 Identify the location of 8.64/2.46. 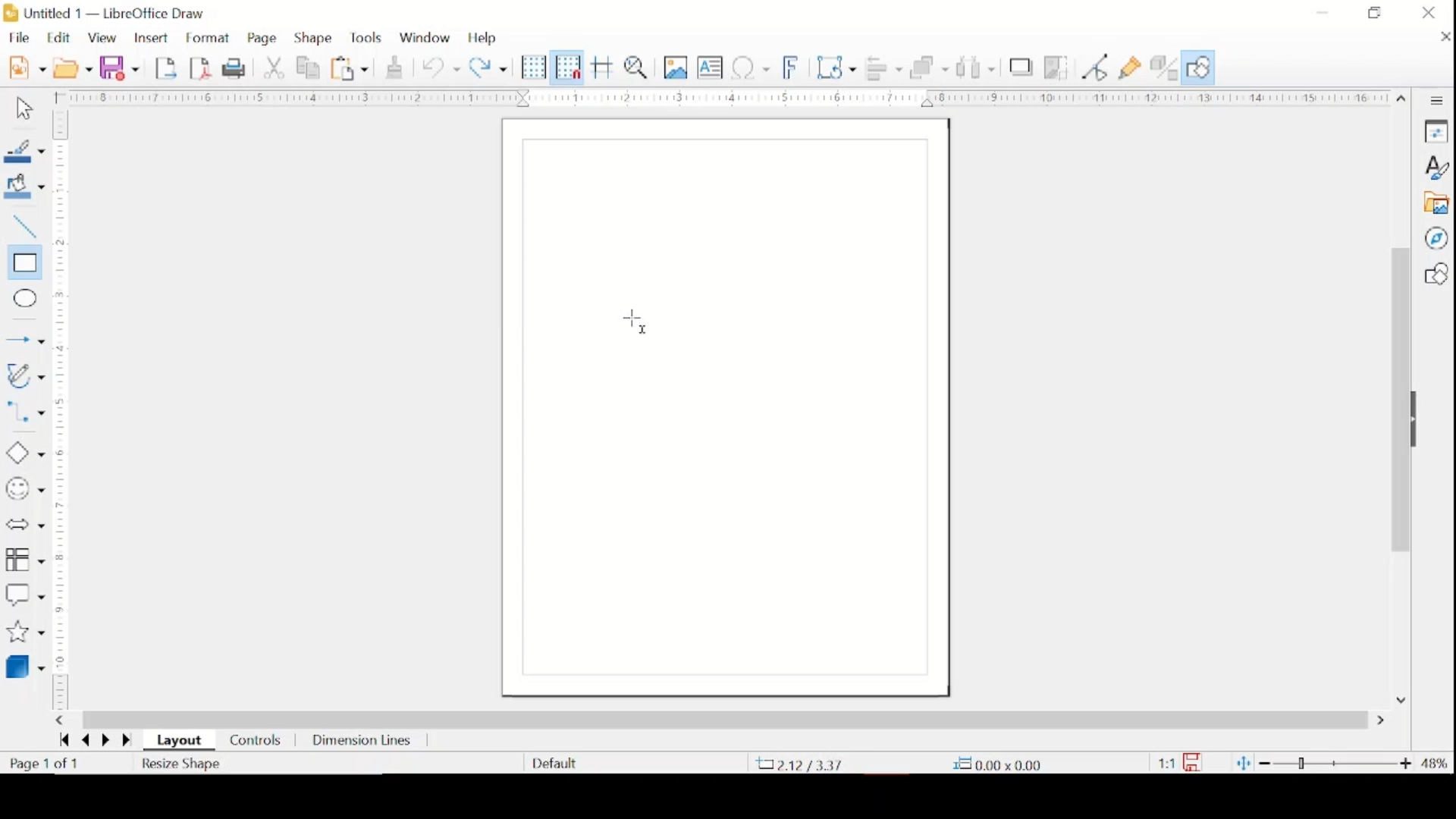
(803, 764).